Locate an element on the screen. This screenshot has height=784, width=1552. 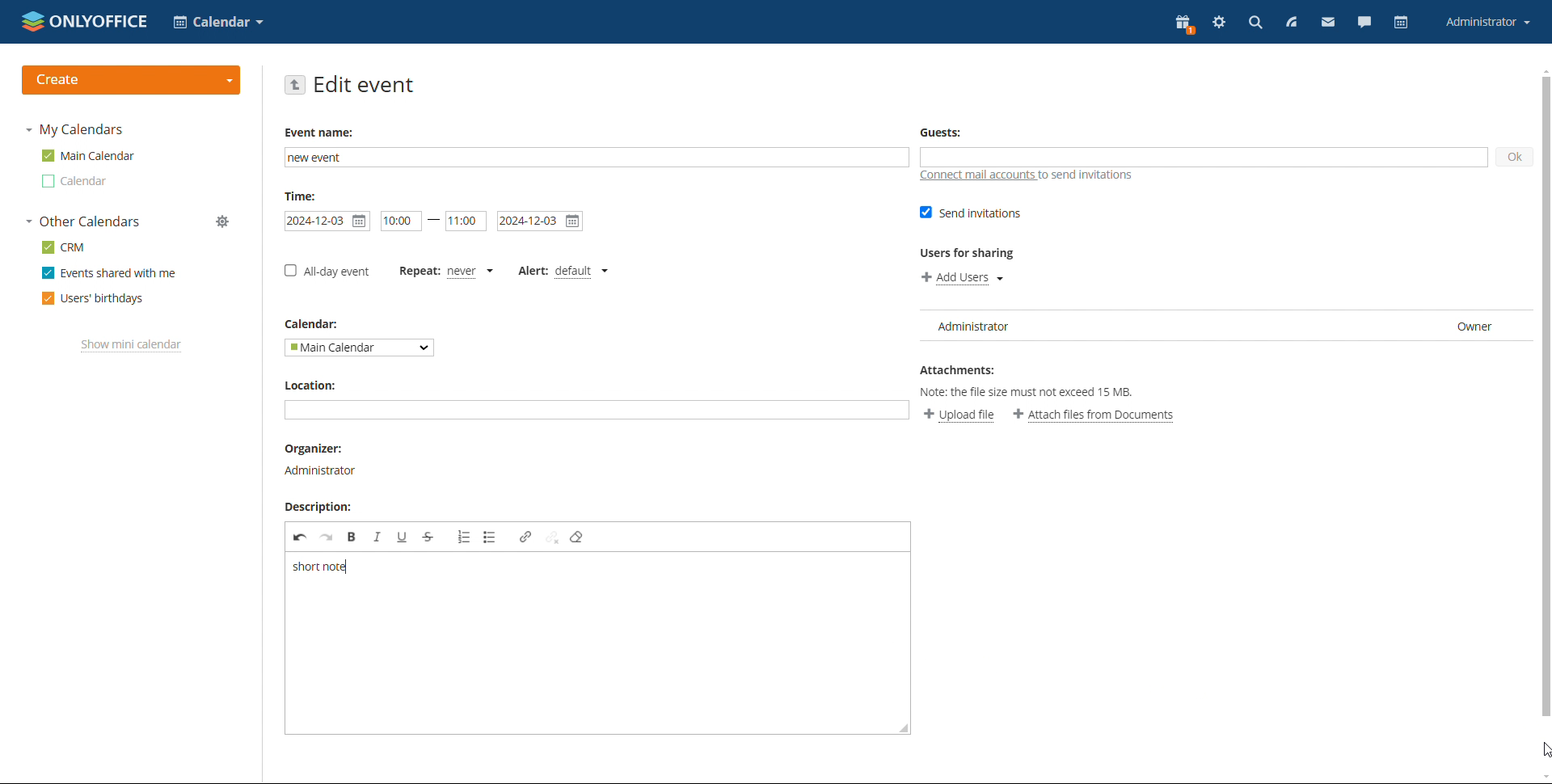
Administrator is located at coordinates (322, 470).